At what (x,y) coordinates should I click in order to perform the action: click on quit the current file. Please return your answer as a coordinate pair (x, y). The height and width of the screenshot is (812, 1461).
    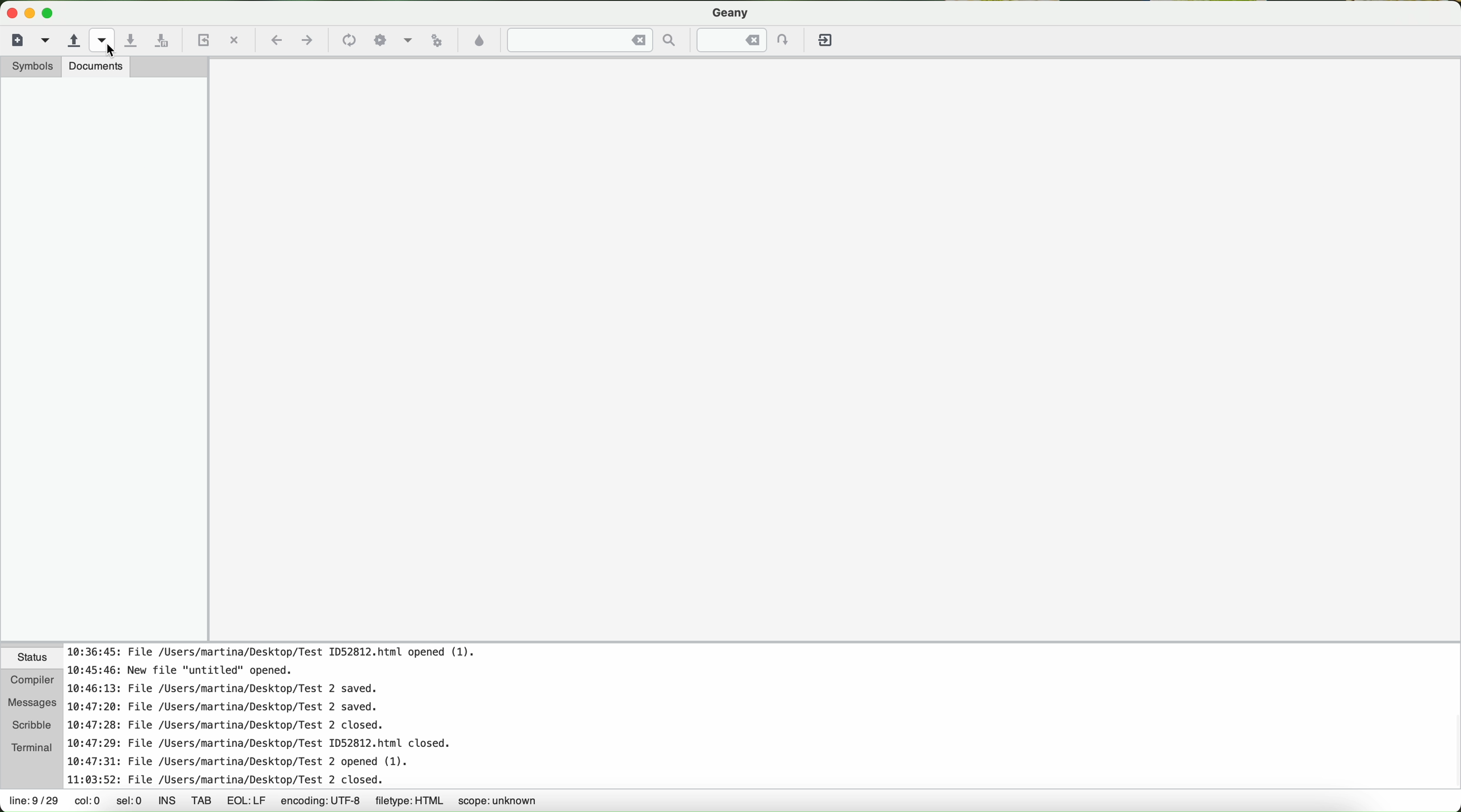
    Looking at the image, I should click on (235, 40).